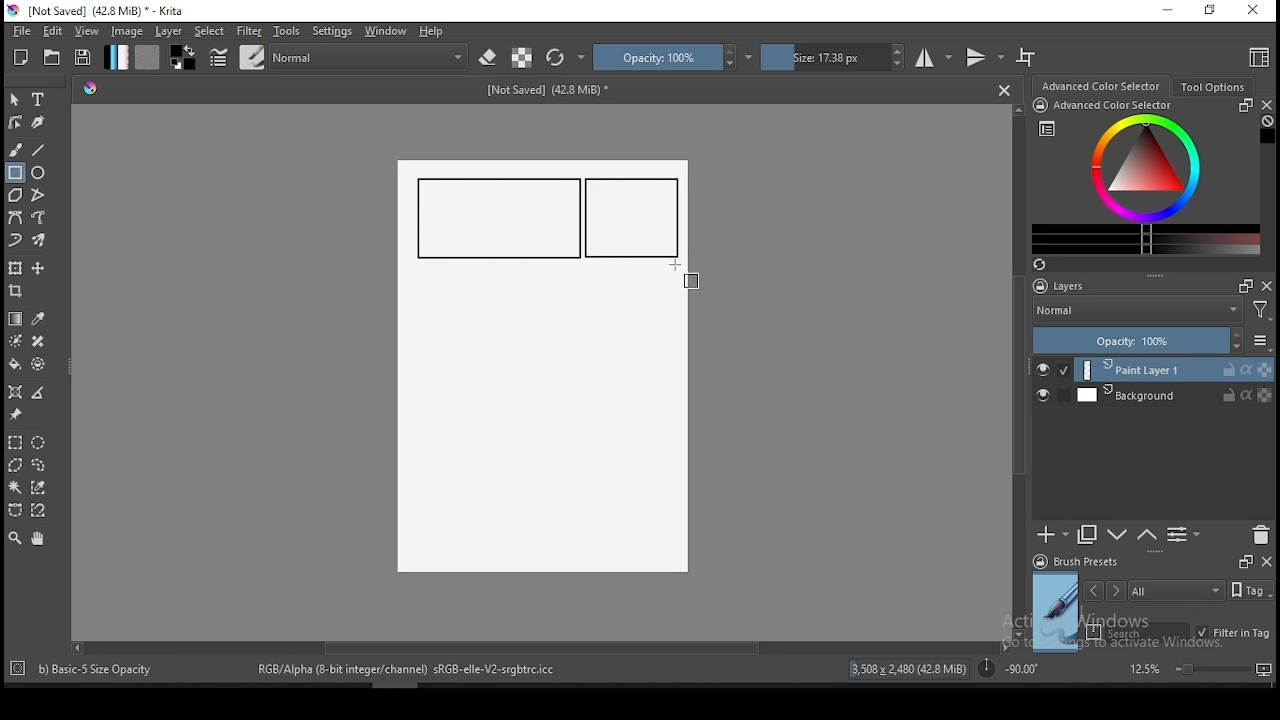 Image resolution: width=1280 pixels, height=720 pixels. I want to click on close docker, so click(1266, 560).